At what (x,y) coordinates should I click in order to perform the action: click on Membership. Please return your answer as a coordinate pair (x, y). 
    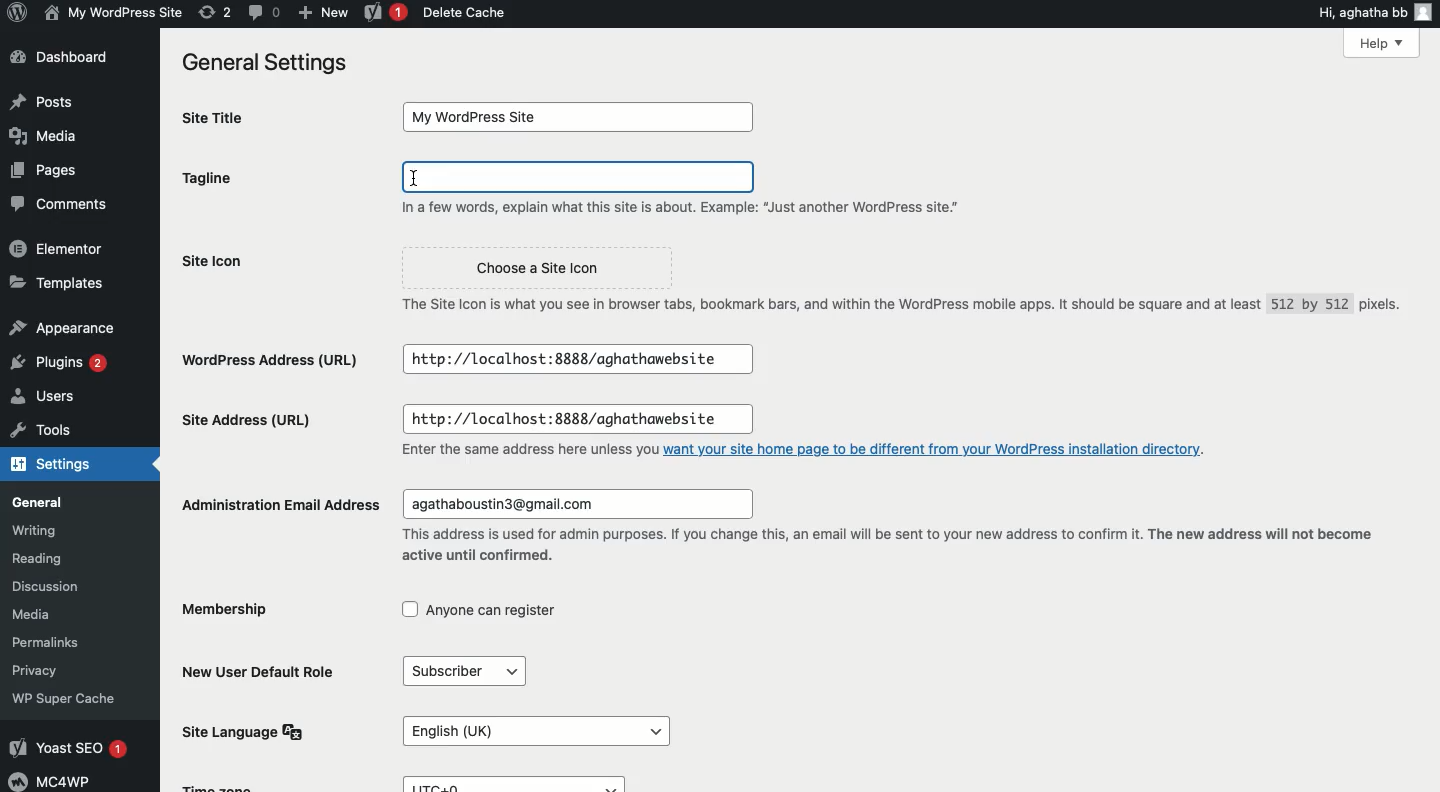
    Looking at the image, I should click on (228, 611).